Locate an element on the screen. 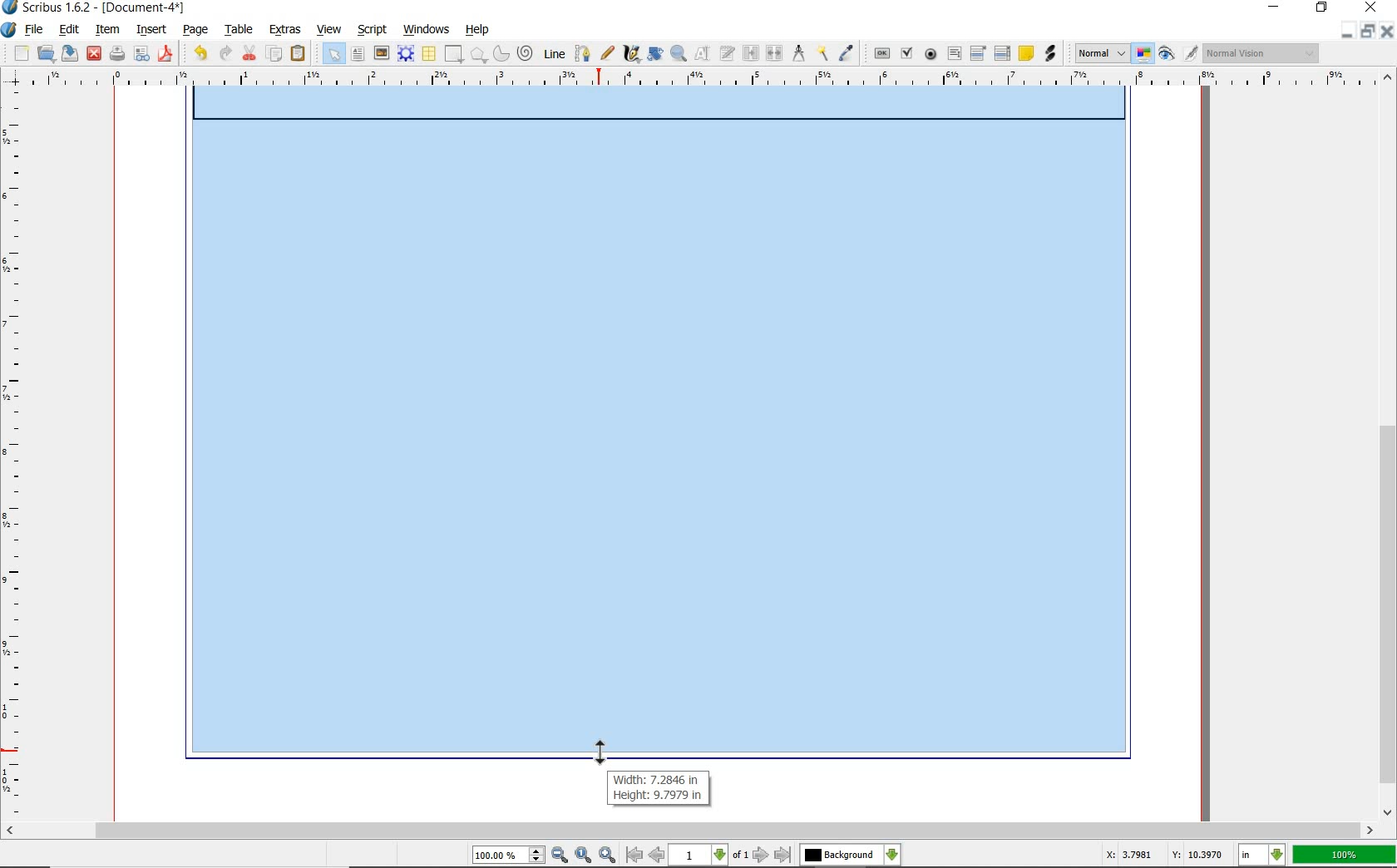 The width and height of the screenshot is (1397, 868). of 1 is located at coordinates (742, 856).